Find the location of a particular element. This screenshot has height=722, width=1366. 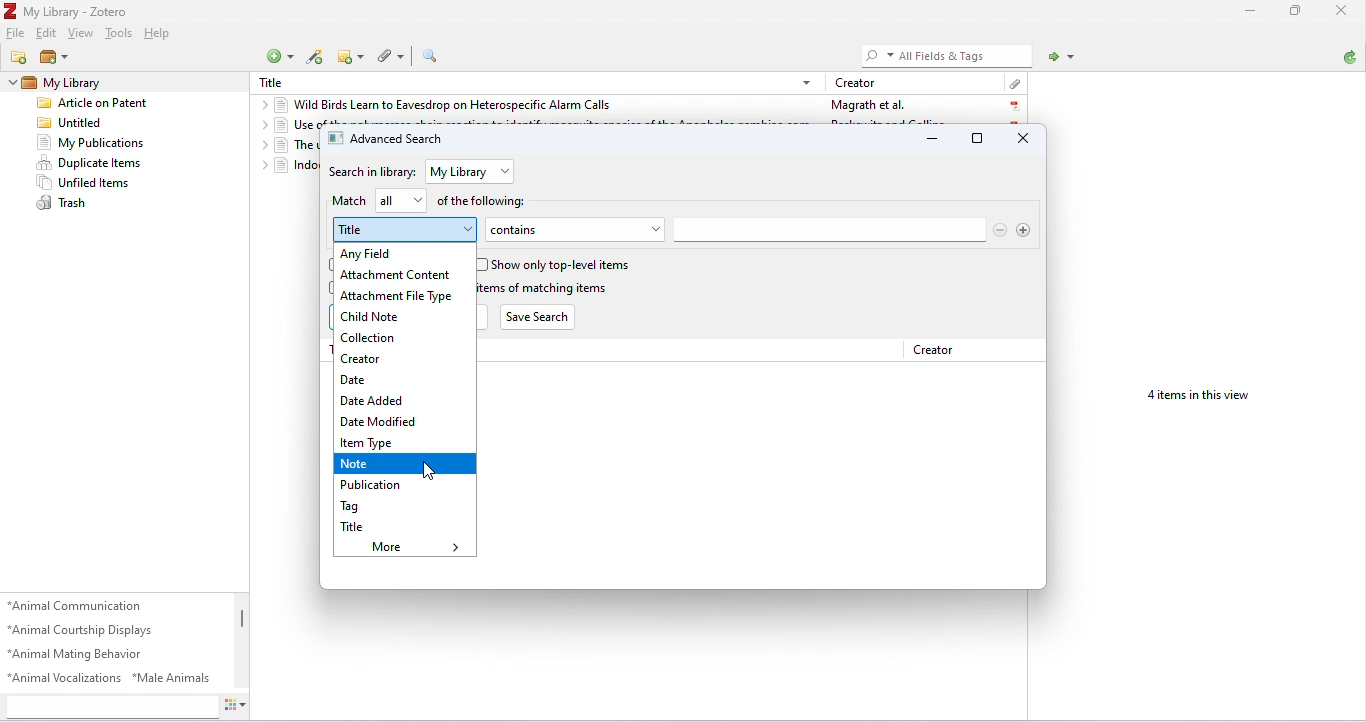

tag is located at coordinates (356, 507).